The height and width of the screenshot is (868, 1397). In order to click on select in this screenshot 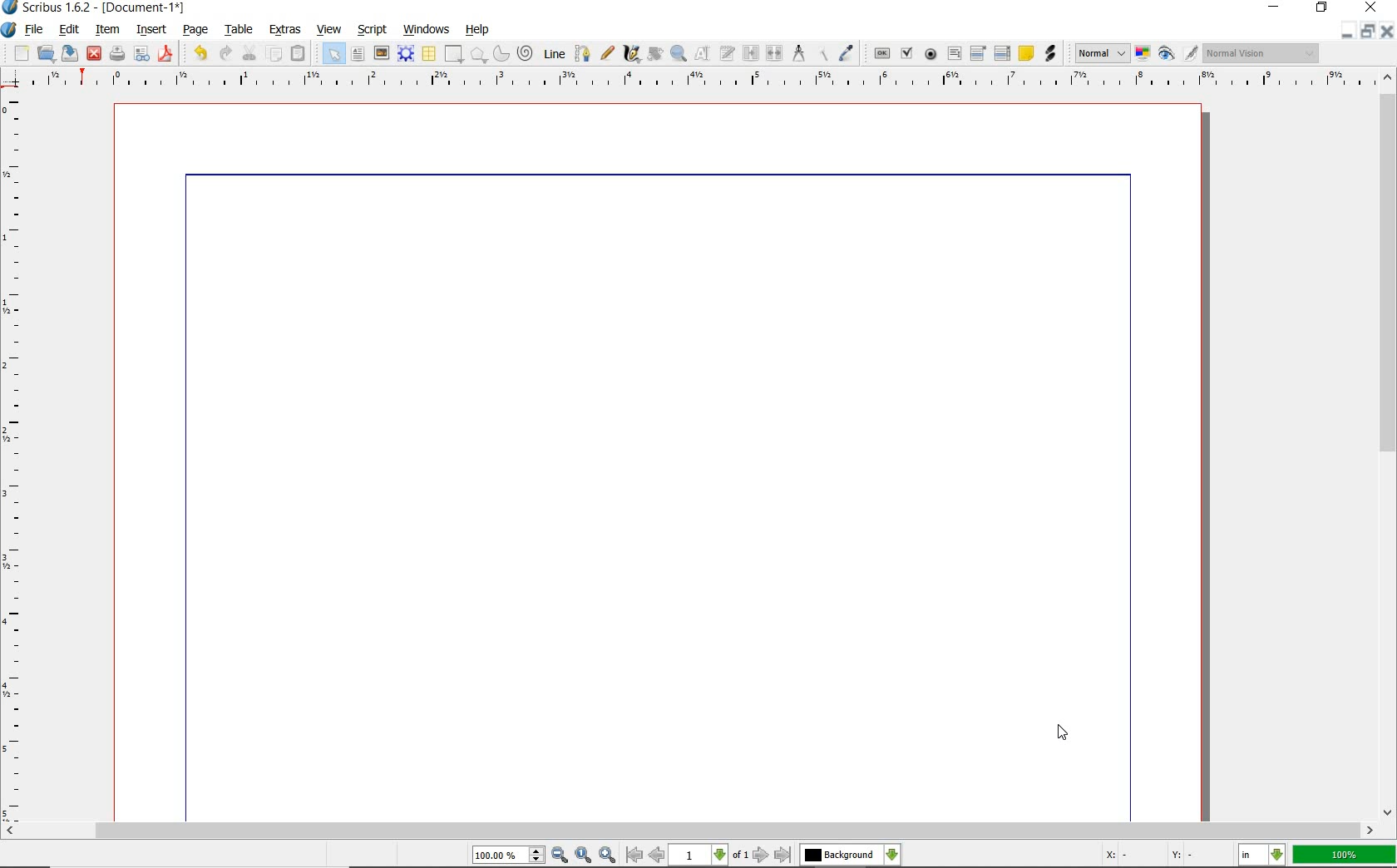, I will do `click(335, 53)`.